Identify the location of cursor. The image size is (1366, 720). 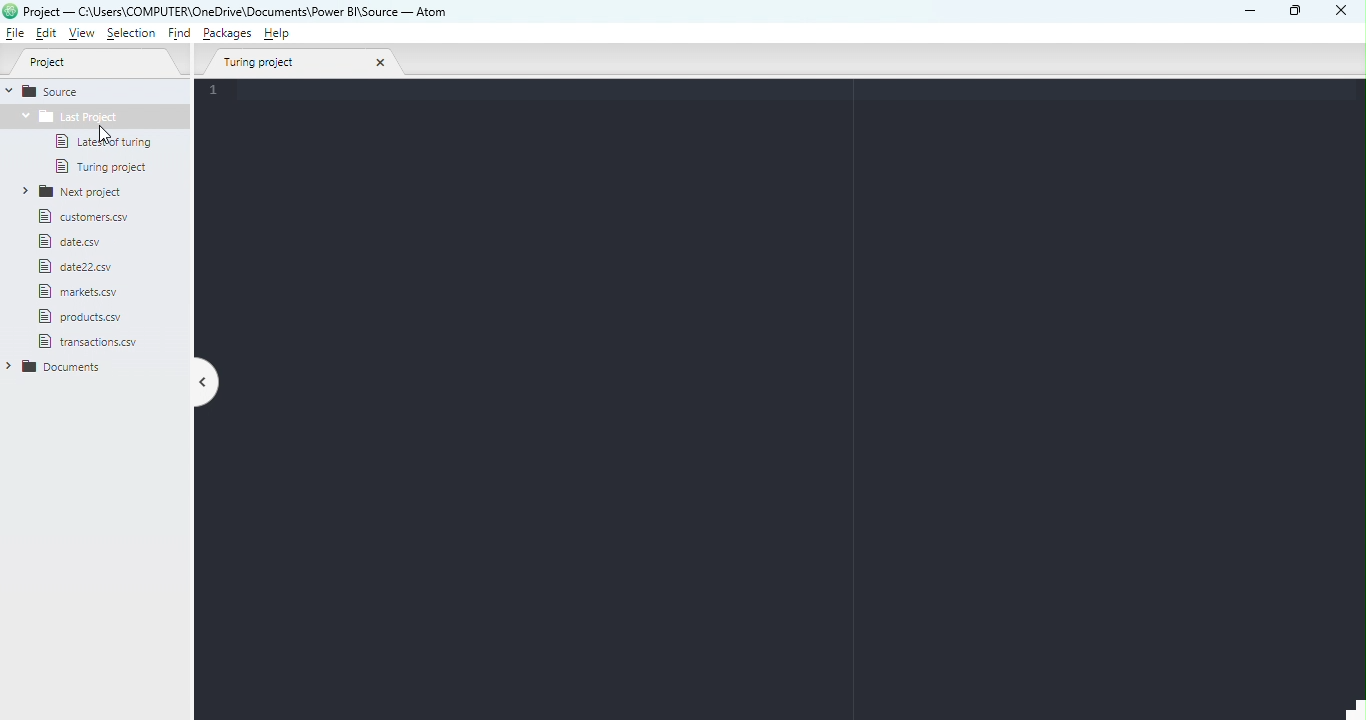
(101, 133).